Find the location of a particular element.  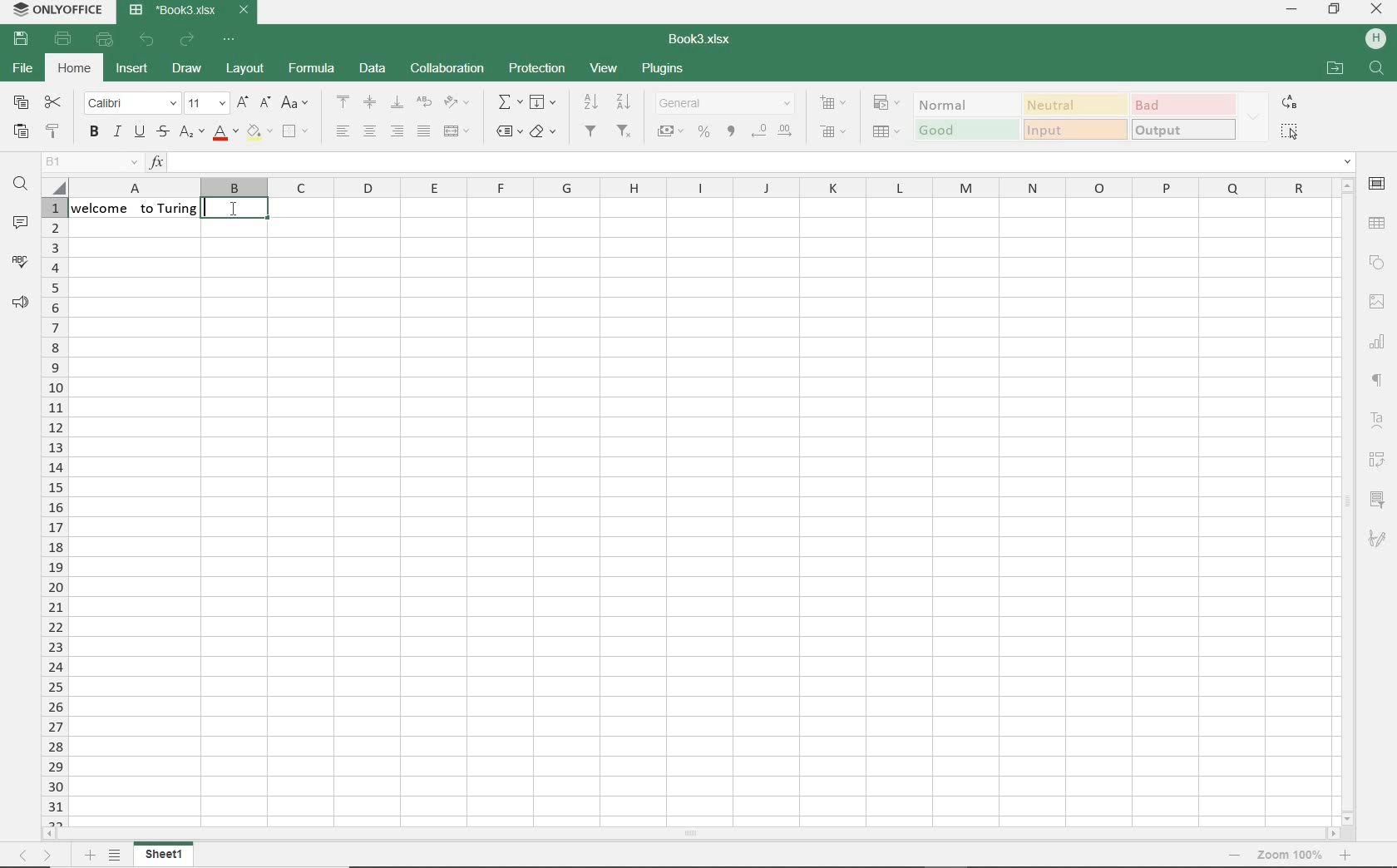

align center is located at coordinates (369, 131).